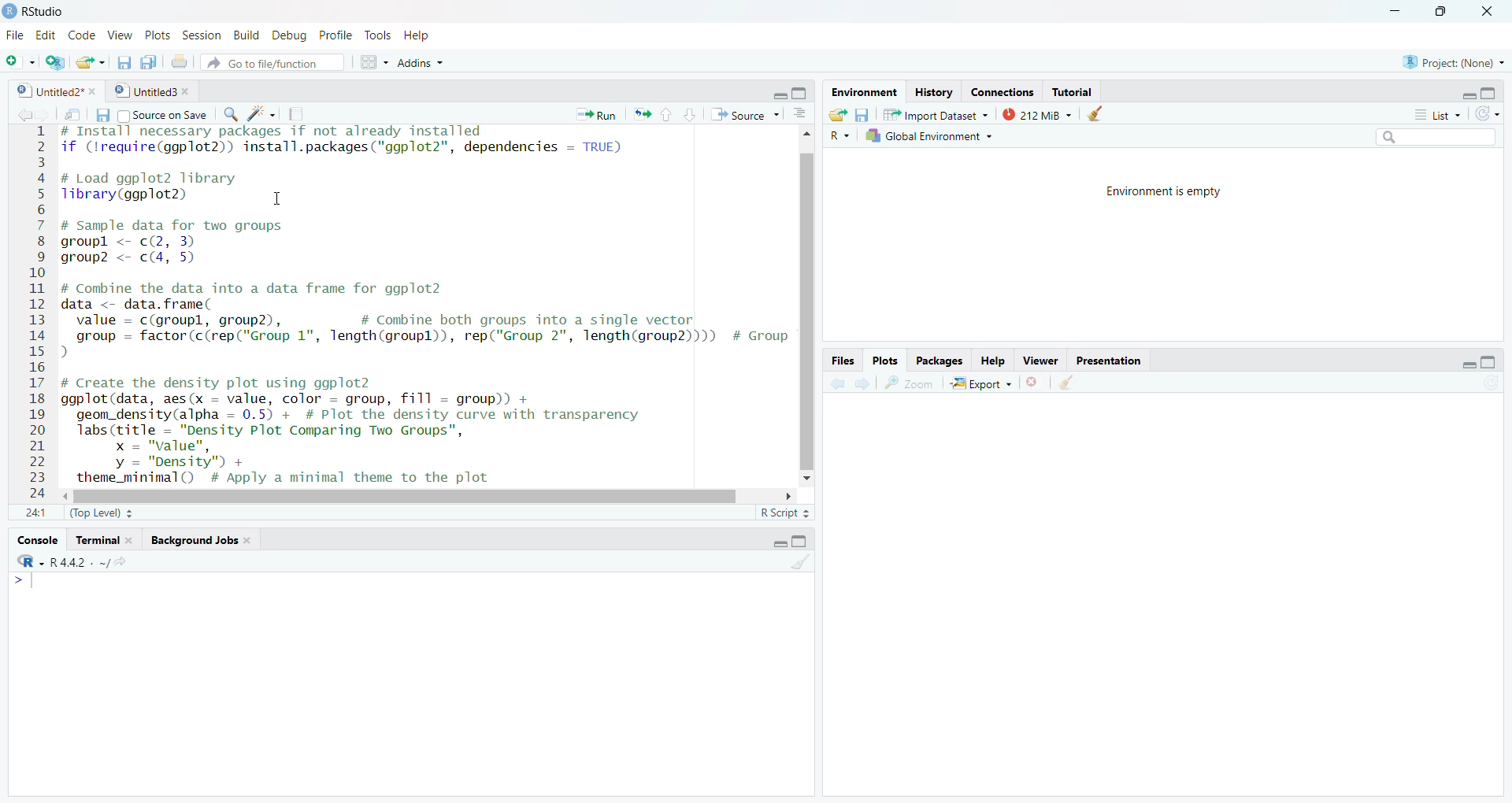  What do you see at coordinates (1491, 363) in the screenshot?
I see `maximize` at bounding box center [1491, 363].